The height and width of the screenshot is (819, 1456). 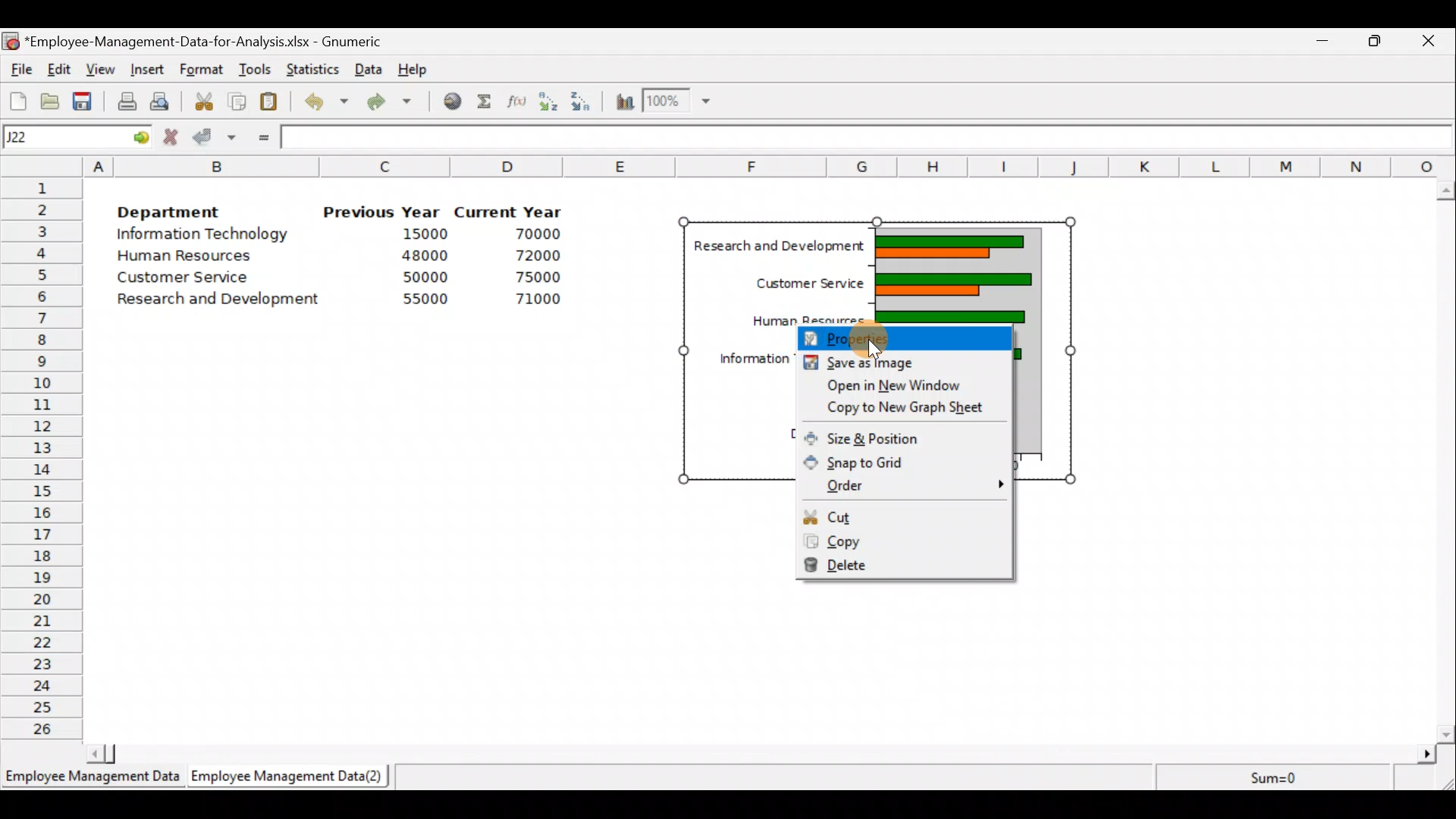 I want to click on Current Year, so click(x=508, y=209).